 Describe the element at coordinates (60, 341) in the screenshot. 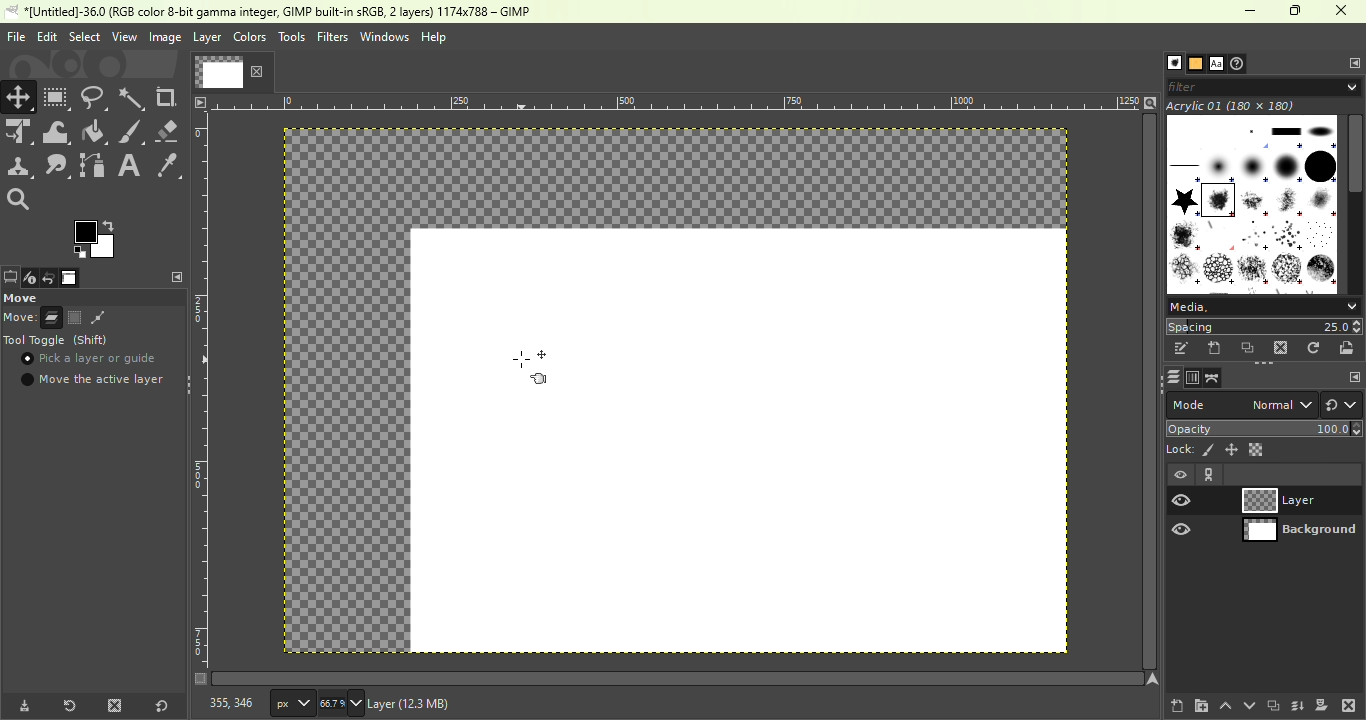

I see `tool toggle ` at that location.